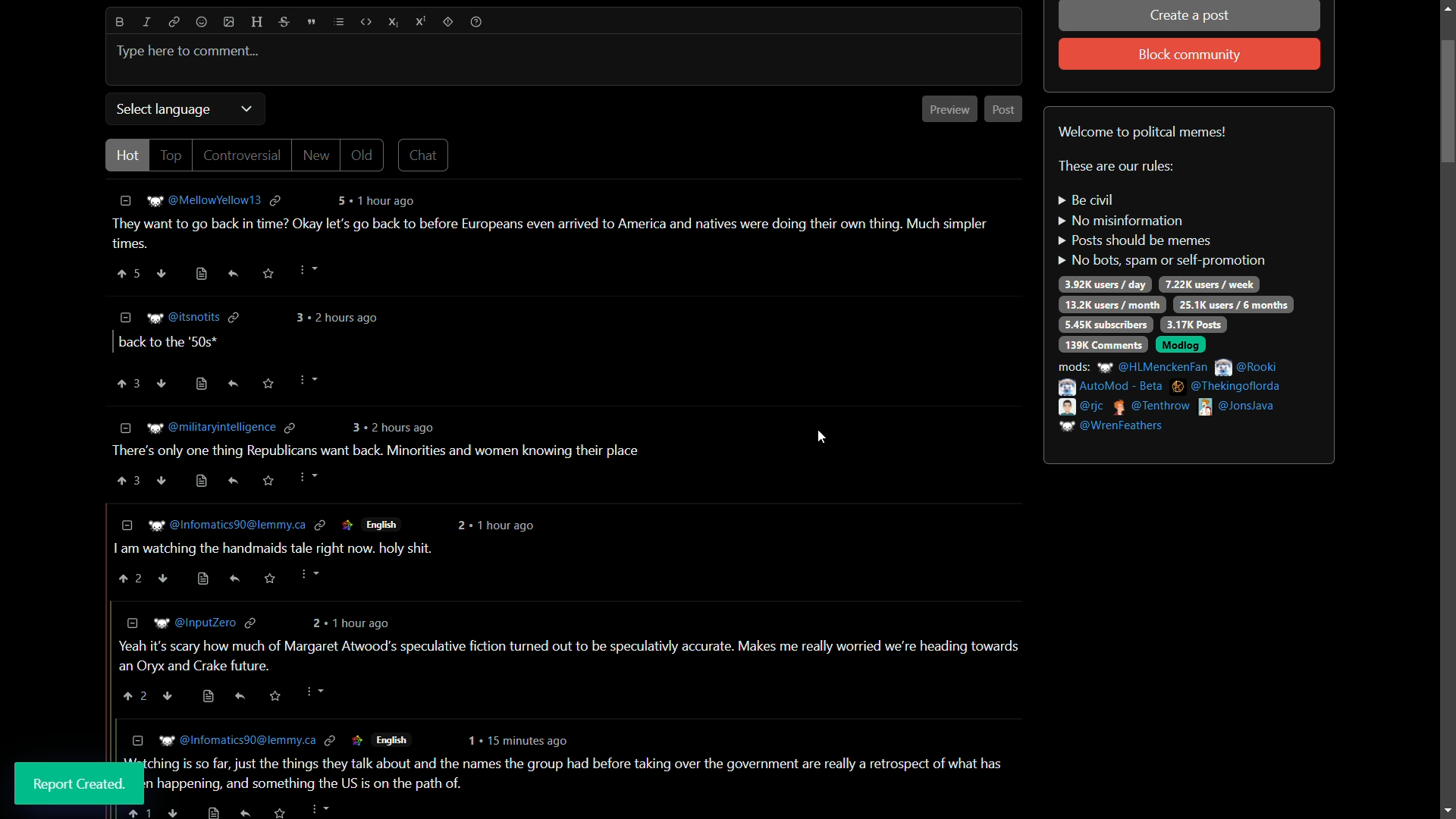 The image size is (1456, 819). I want to click on scroll bar, so click(1448, 411).